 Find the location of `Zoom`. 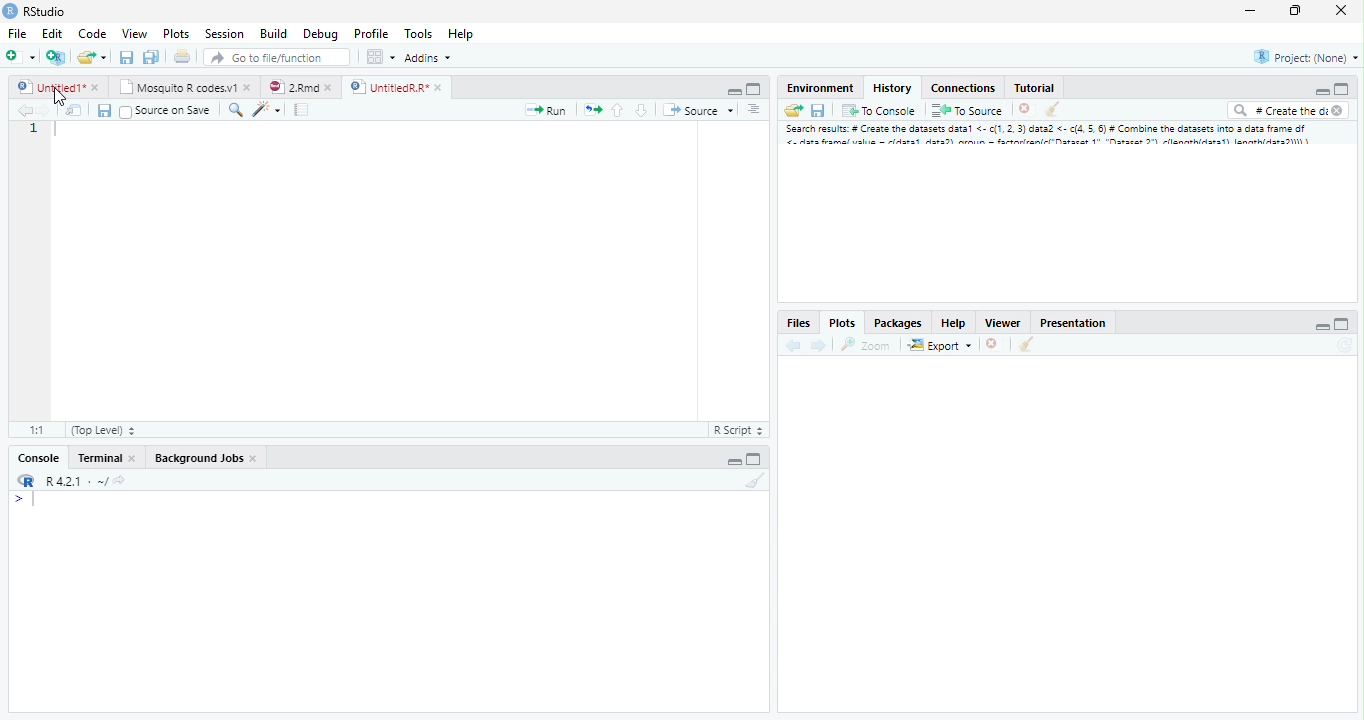

Zoom is located at coordinates (235, 112).